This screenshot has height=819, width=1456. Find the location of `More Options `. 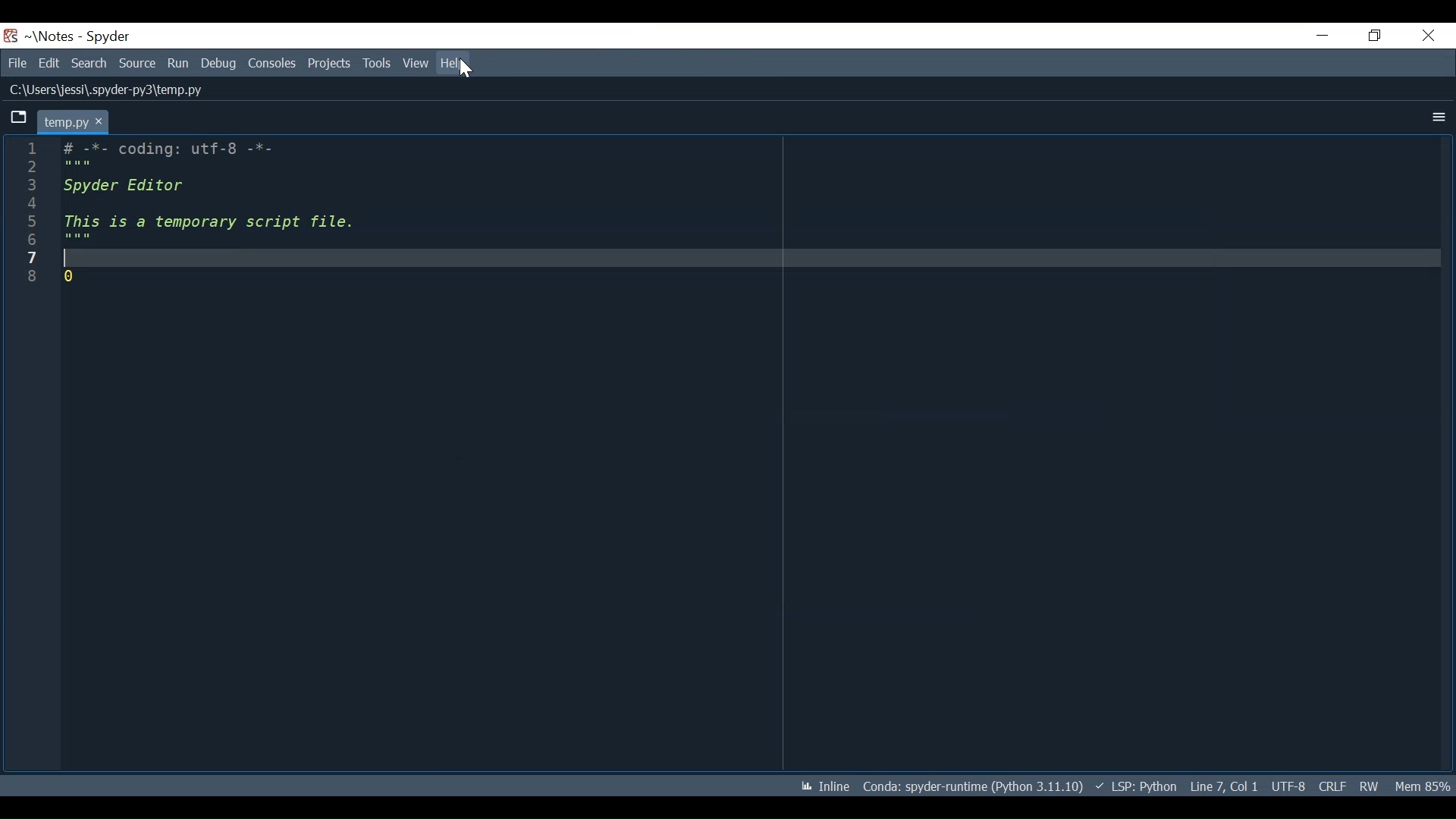

More Options  is located at coordinates (1441, 118).